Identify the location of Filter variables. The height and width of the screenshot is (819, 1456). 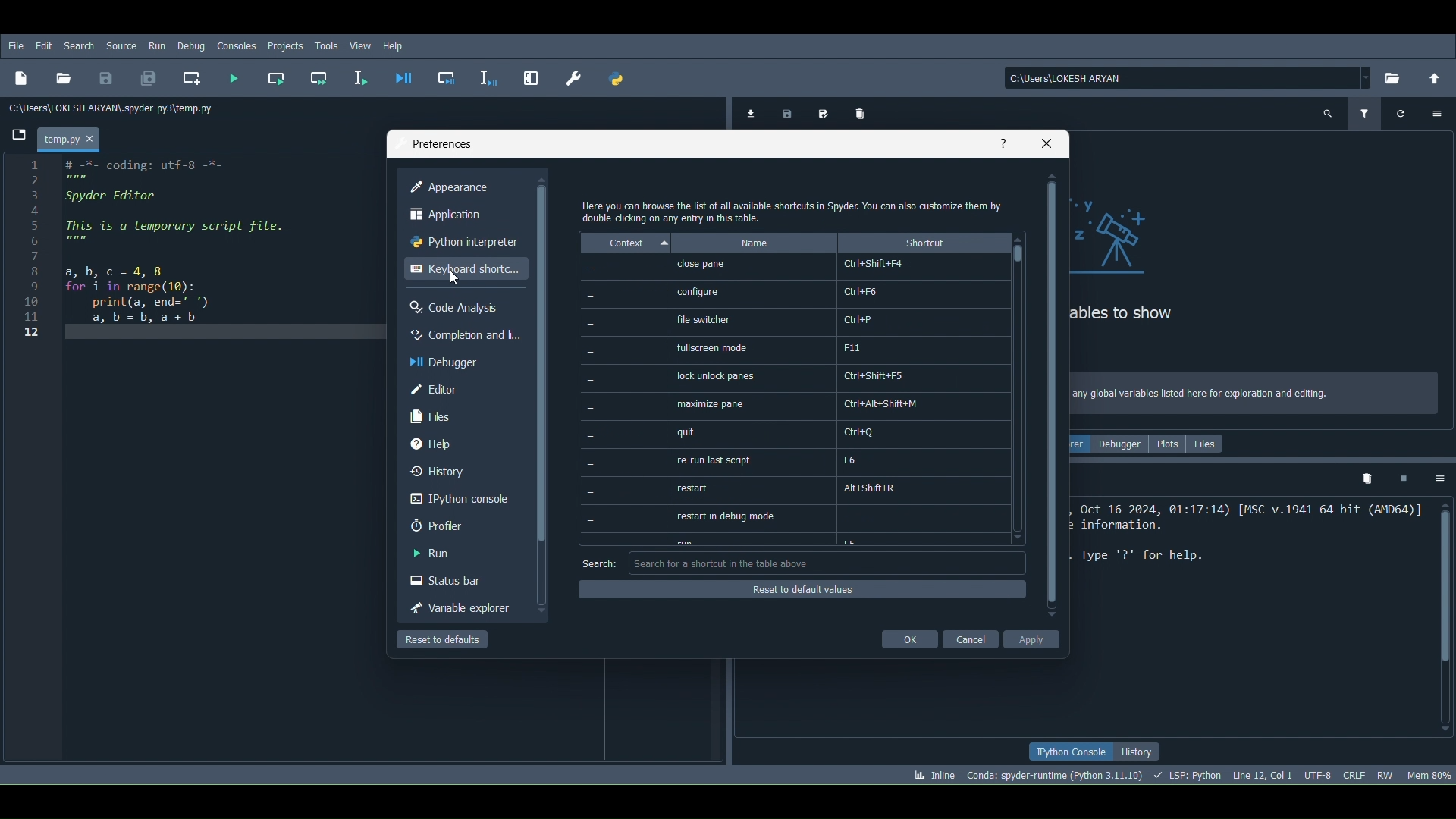
(1367, 111).